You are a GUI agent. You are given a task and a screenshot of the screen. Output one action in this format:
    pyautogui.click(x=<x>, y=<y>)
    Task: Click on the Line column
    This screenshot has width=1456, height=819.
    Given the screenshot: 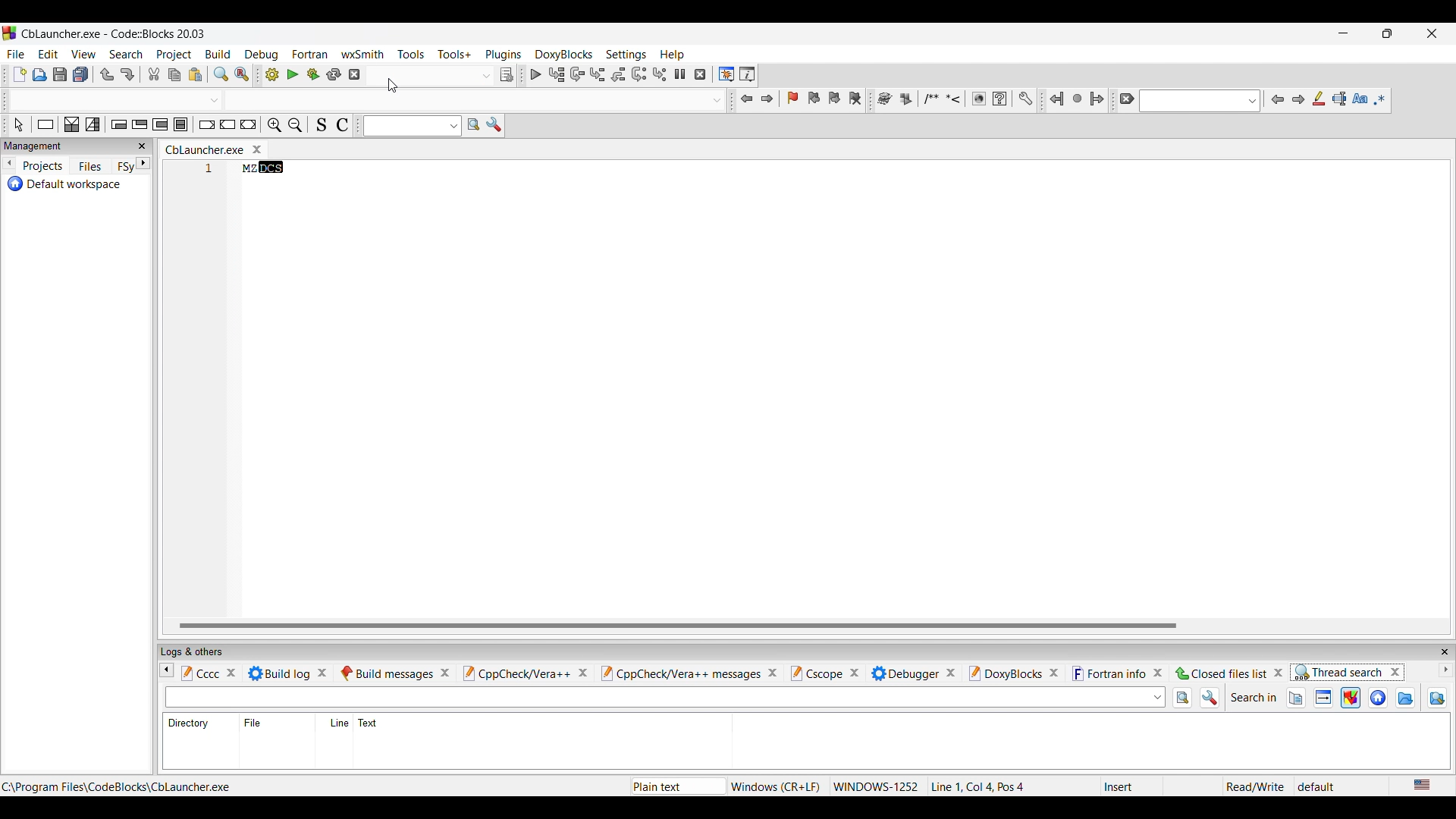 What is the action you would take?
    pyautogui.click(x=338, y=723)
    